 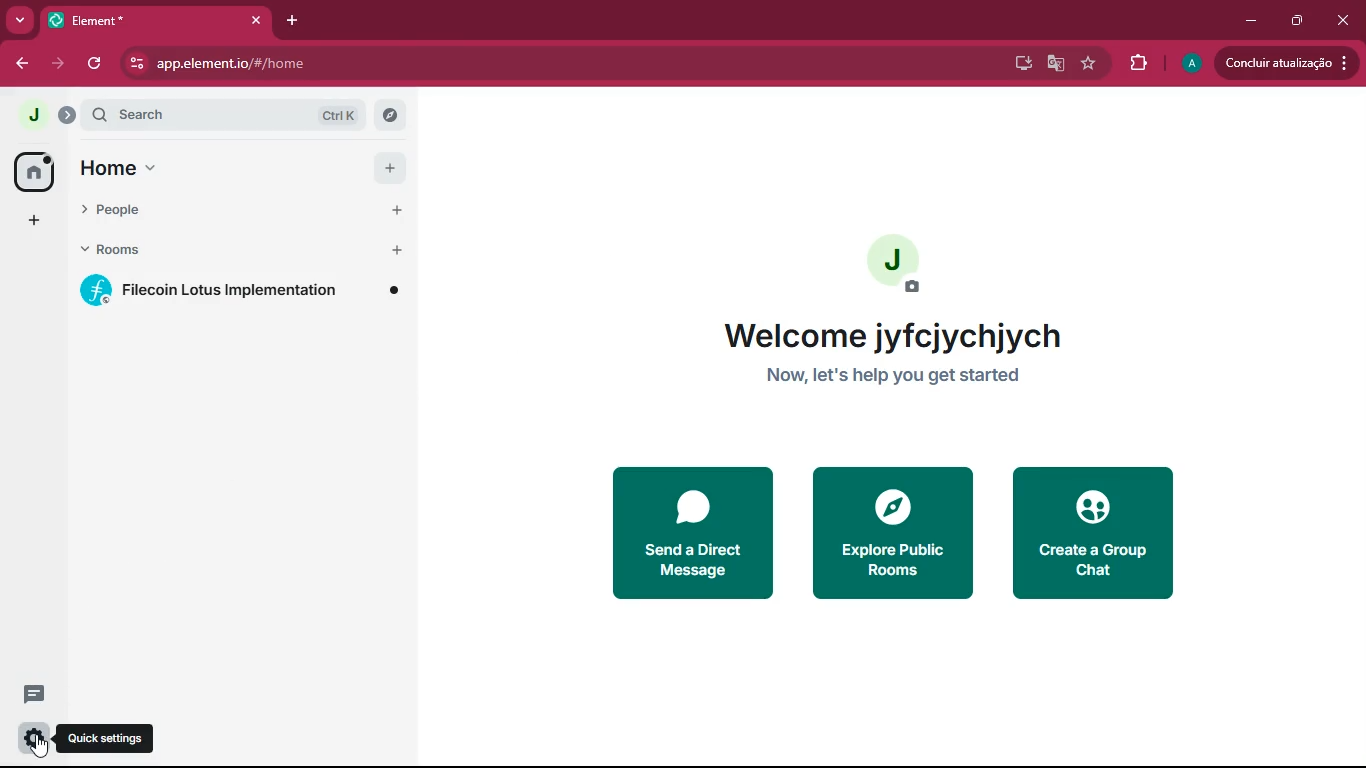 What do you see at coordinates (28, 172) in the screenshot?
I see `home` at bounding box center [28, 172].